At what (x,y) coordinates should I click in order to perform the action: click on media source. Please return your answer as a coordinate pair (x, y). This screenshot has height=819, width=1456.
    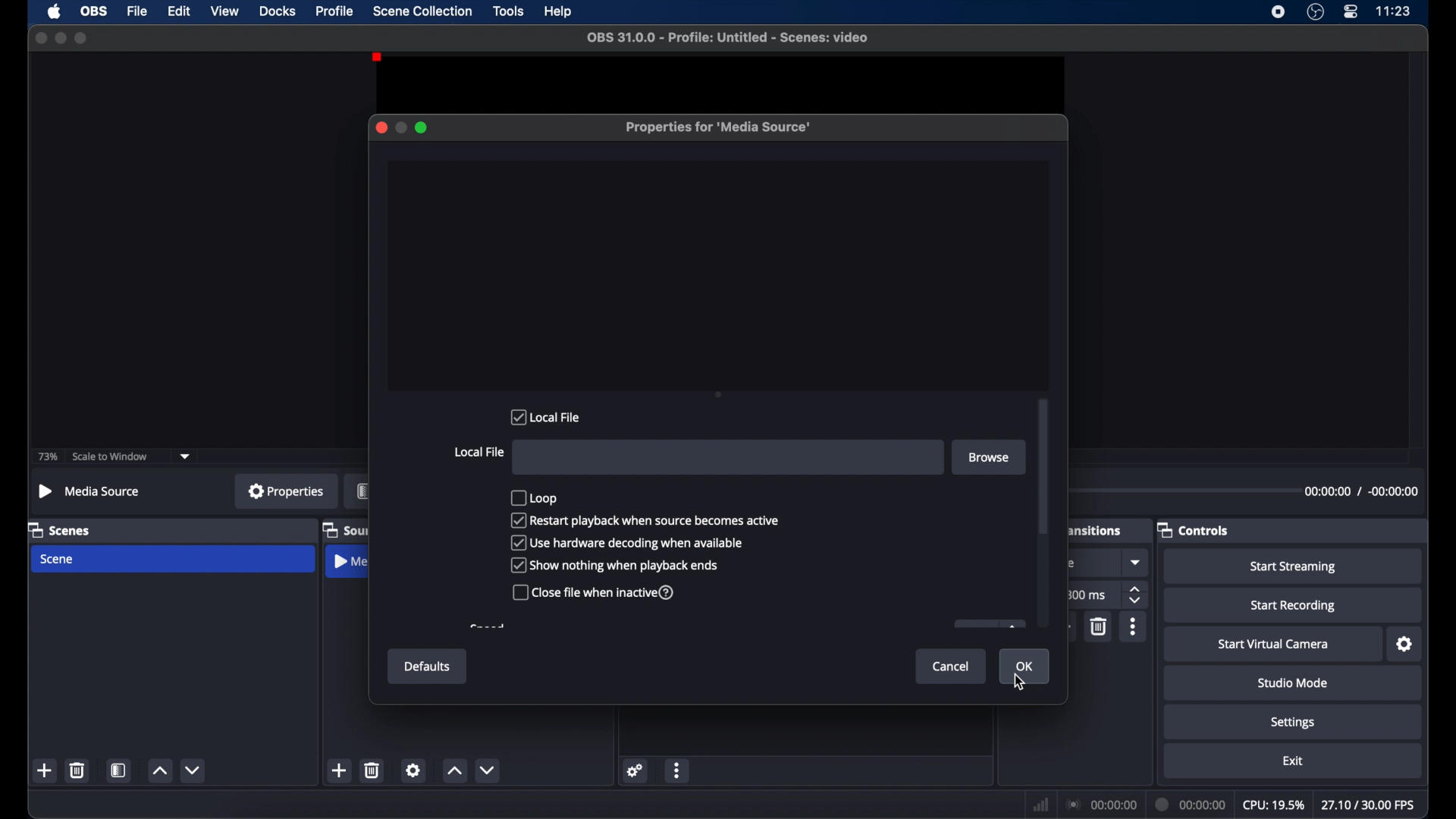
    Looking at the image, I should click on (350, 560).